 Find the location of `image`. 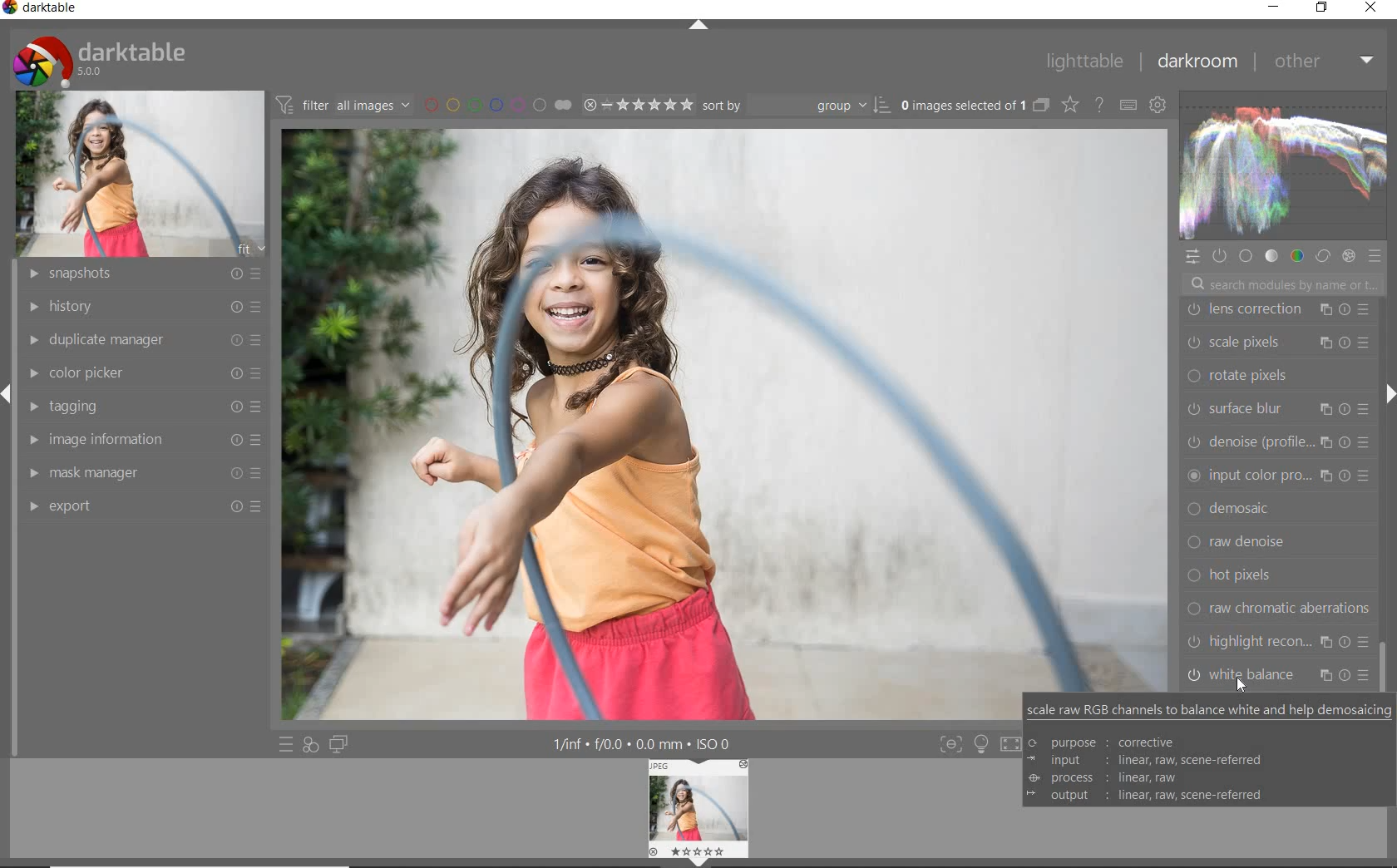

image is located at coordinates (142, 172).